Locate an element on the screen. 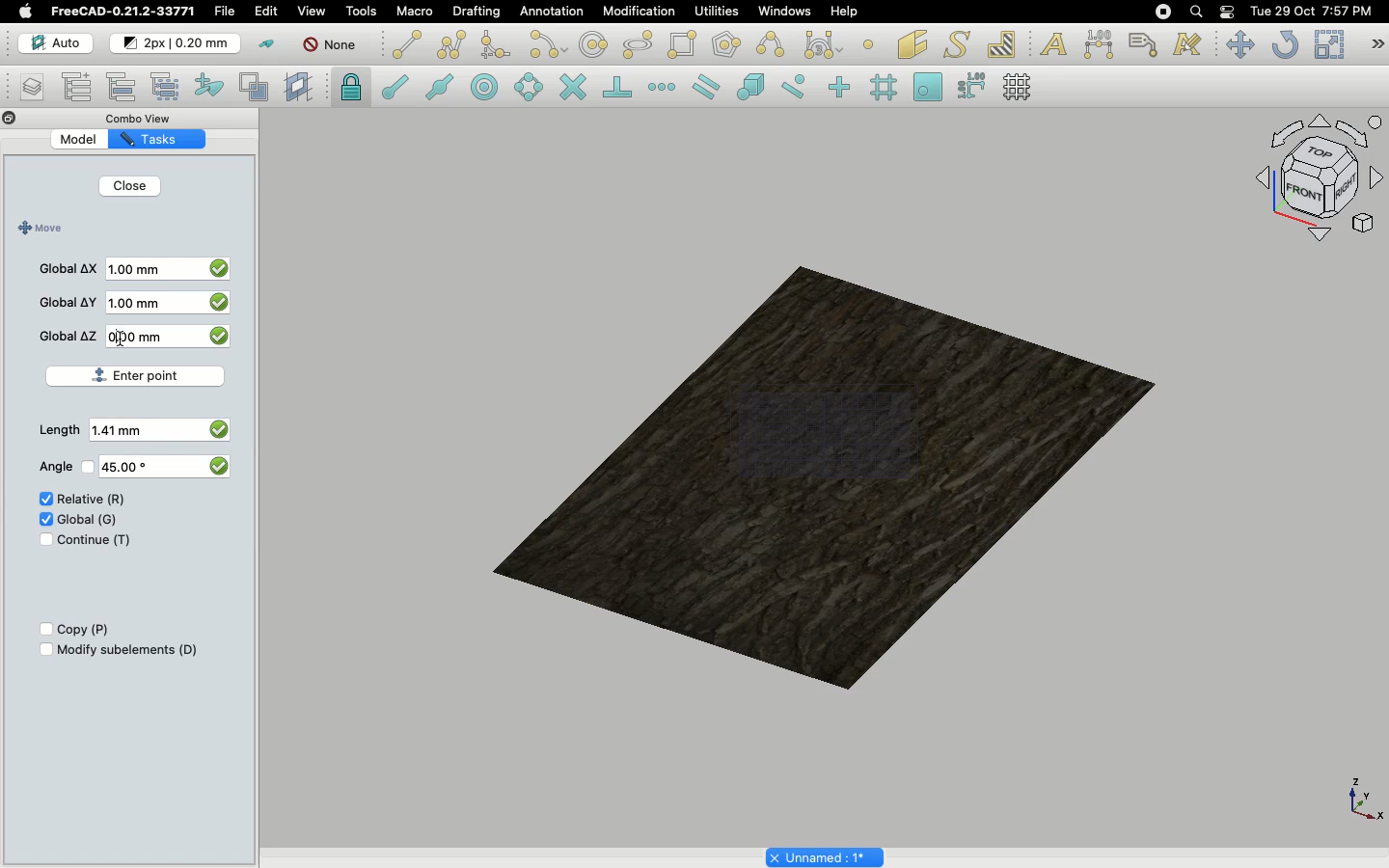 The height and width of the screenshot is (868, 1389). Close is located at coordinates (129, 188).